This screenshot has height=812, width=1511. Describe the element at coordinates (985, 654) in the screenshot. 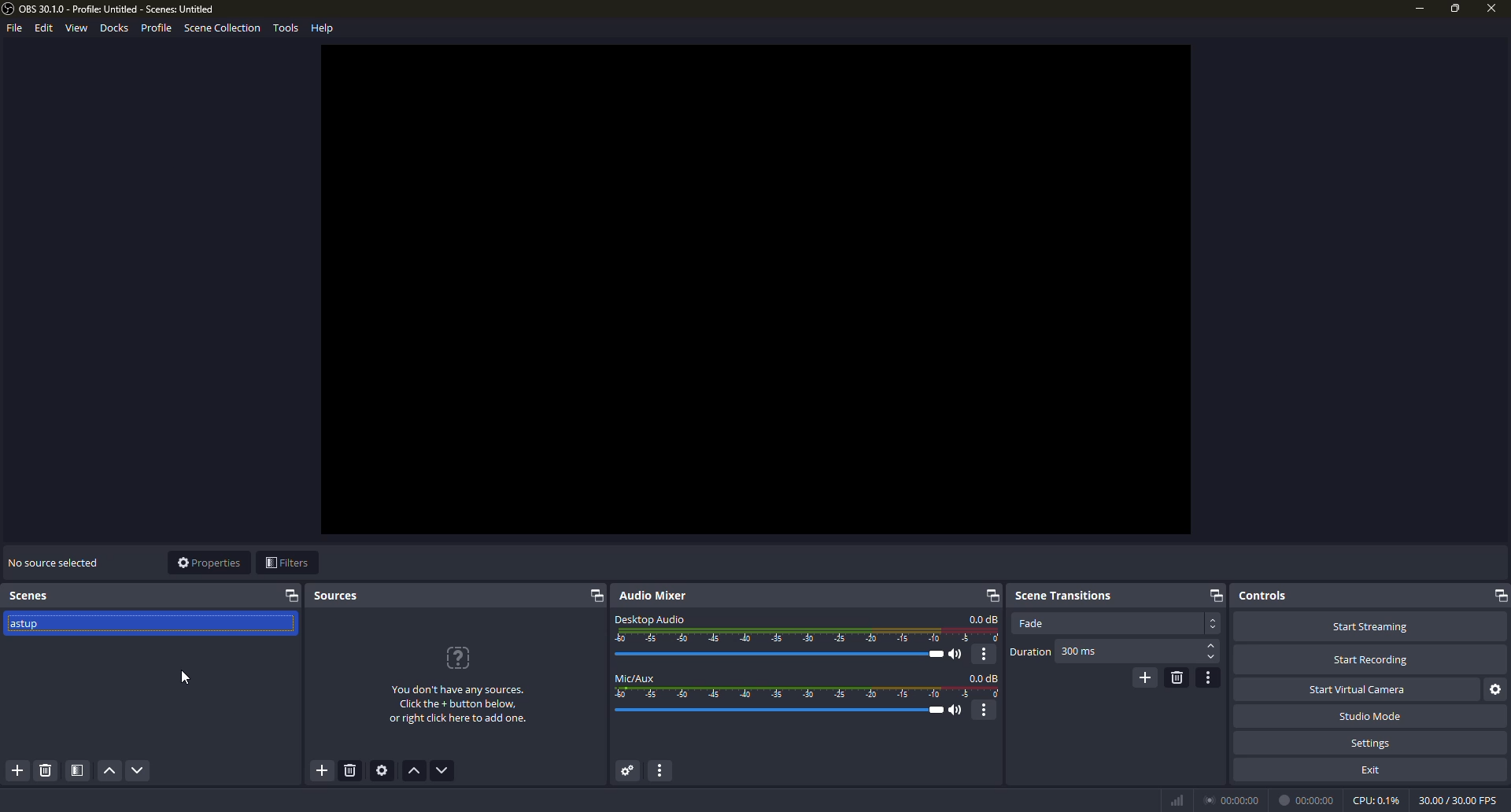

I see `options` at that location.